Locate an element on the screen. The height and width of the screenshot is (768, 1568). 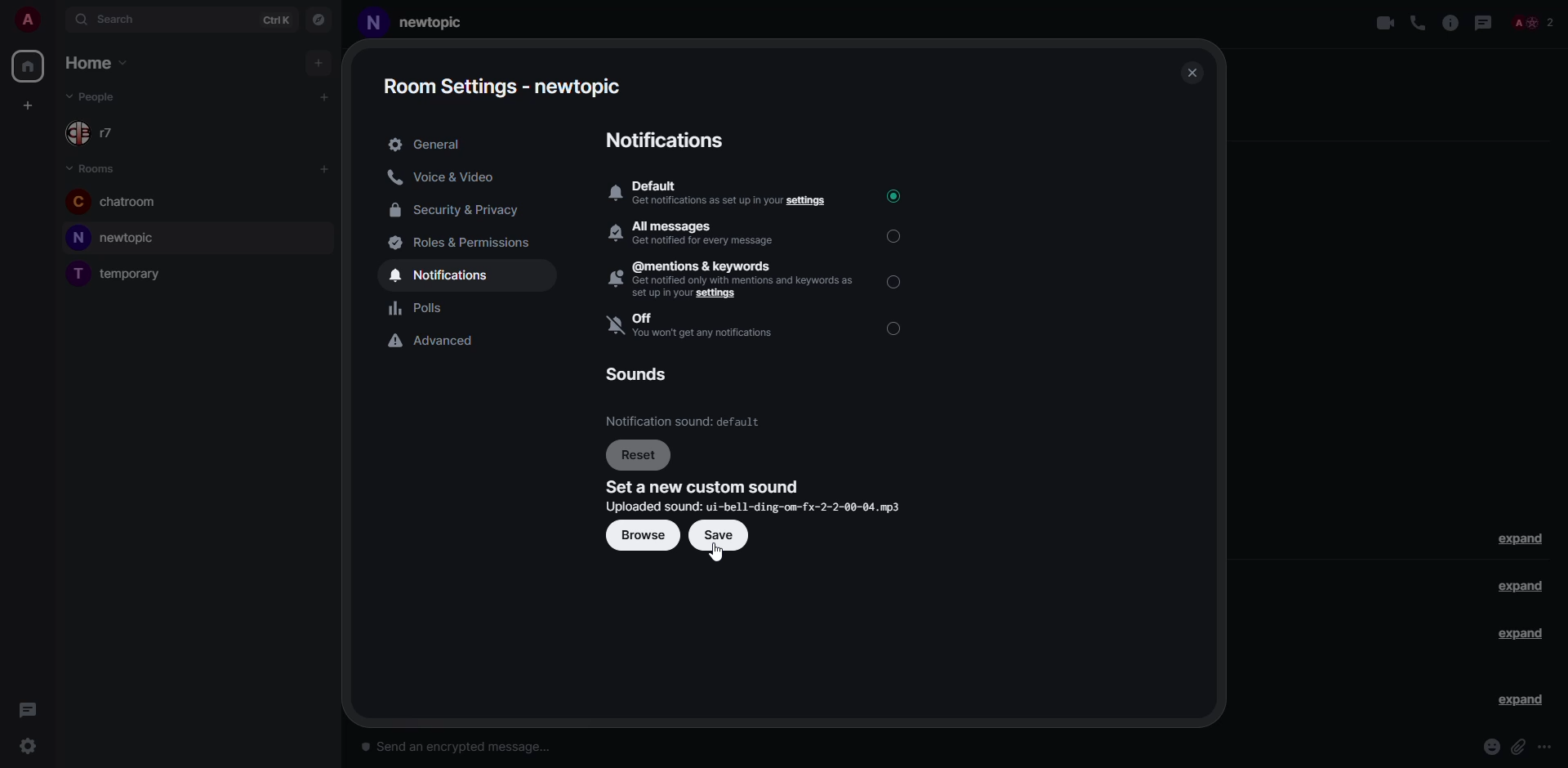
rooms is located at coordinates (94, 168).